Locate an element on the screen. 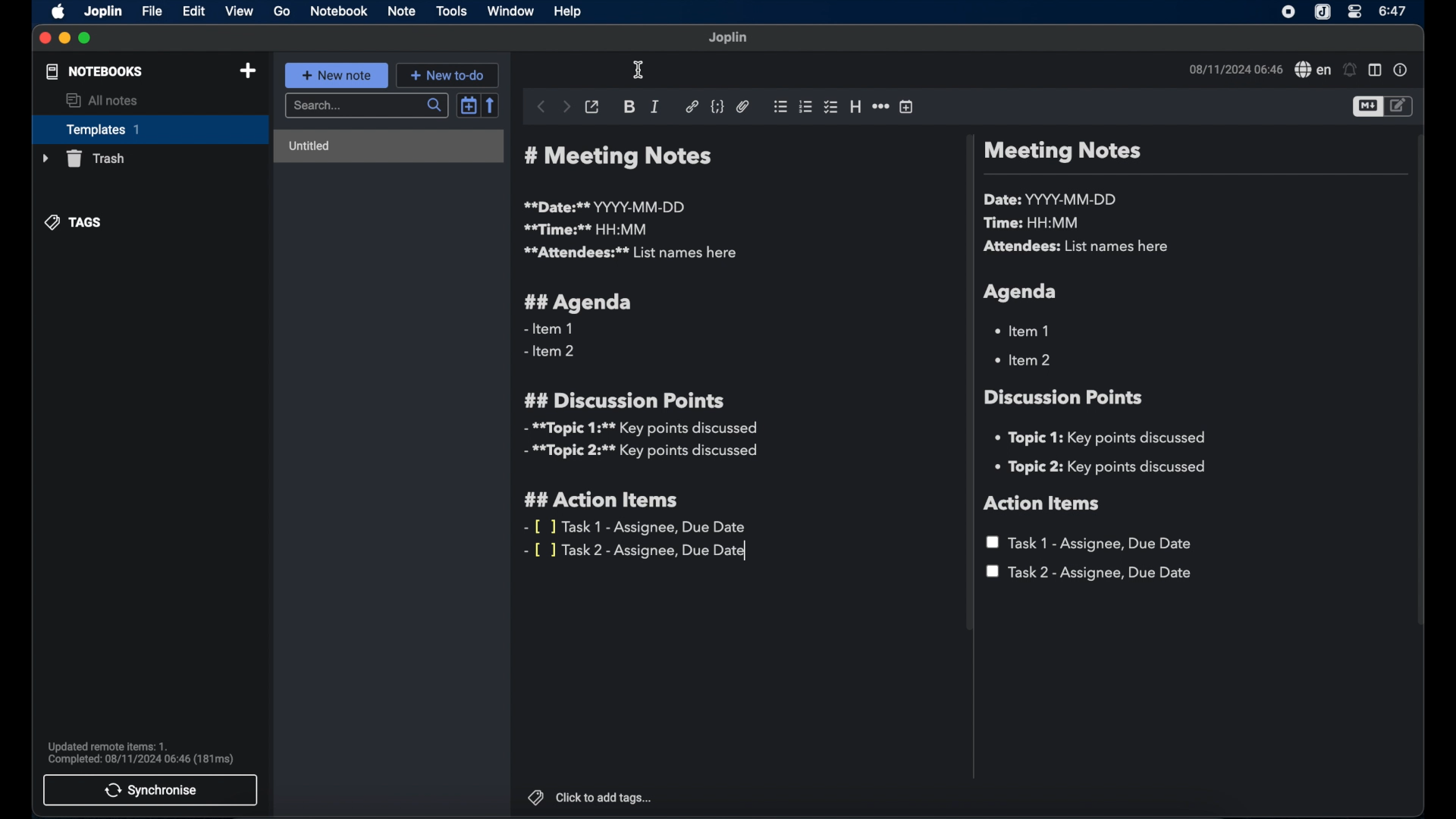 This screenshot has width=1456, height=819. control center is located at coordinates (1355, 13).